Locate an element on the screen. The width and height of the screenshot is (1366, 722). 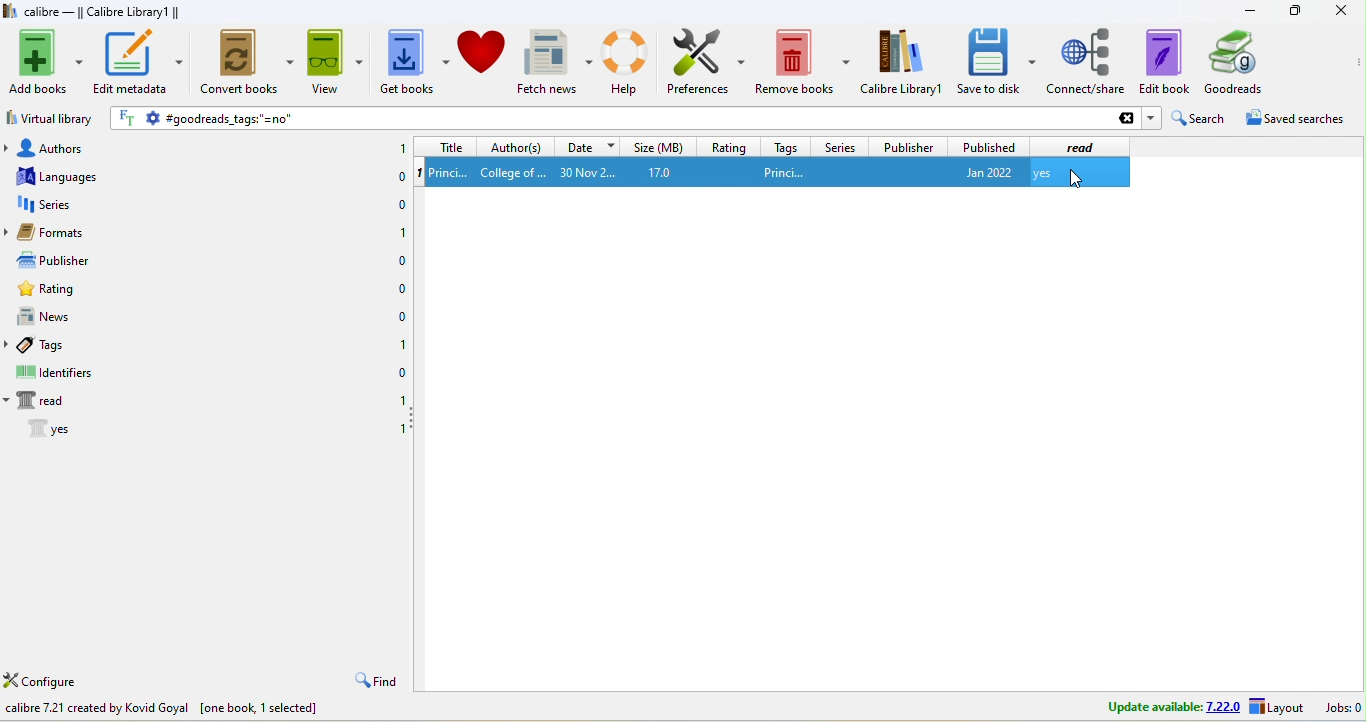
news is located at coordinates (60, 318).